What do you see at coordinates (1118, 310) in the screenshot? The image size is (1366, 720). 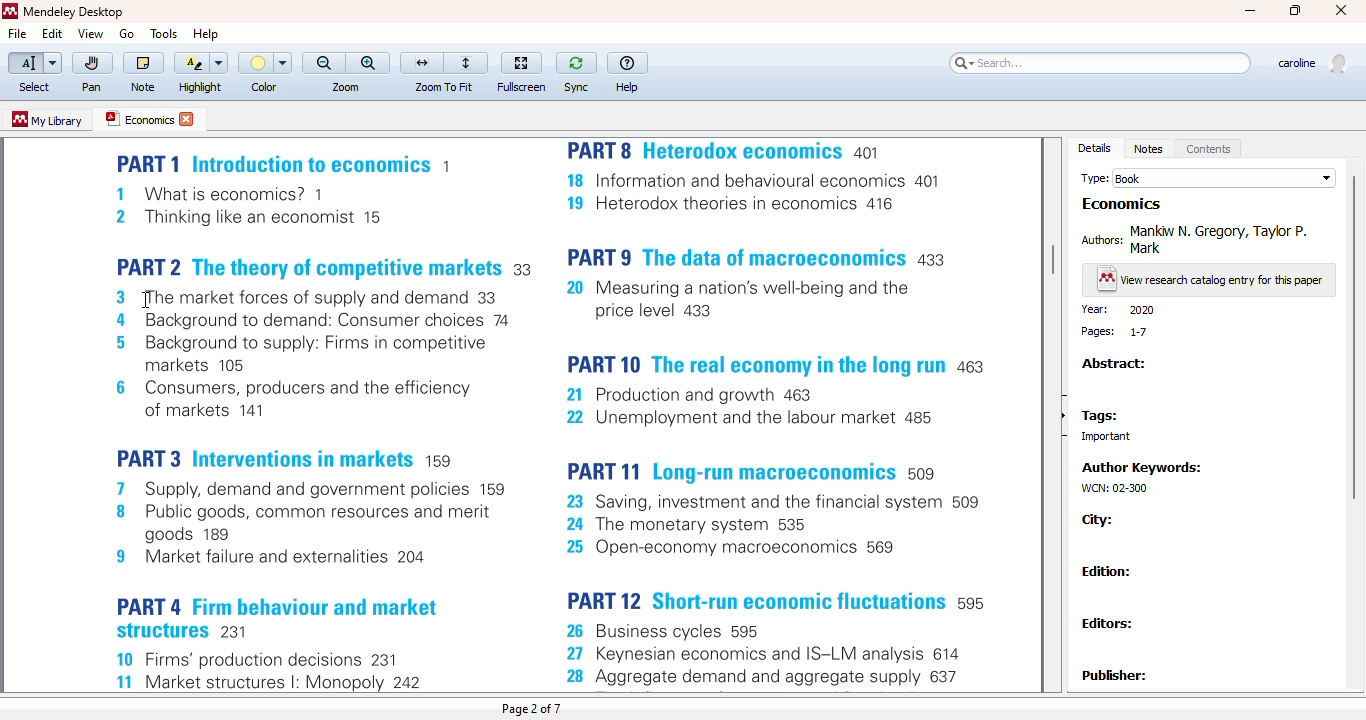 I see `year: 2020` at bounding box center [1118, 310].